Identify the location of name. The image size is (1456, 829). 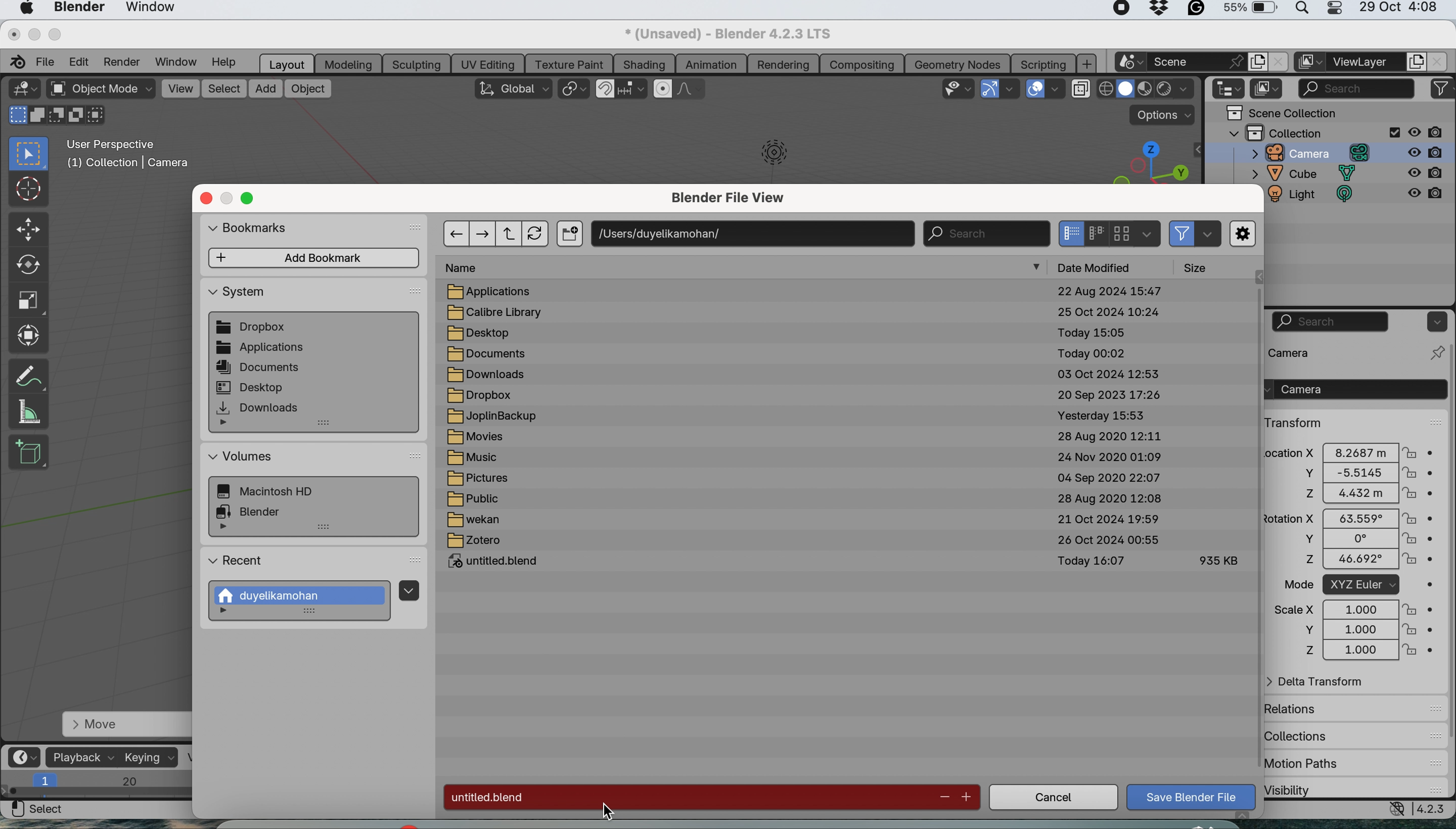
(469, 268).